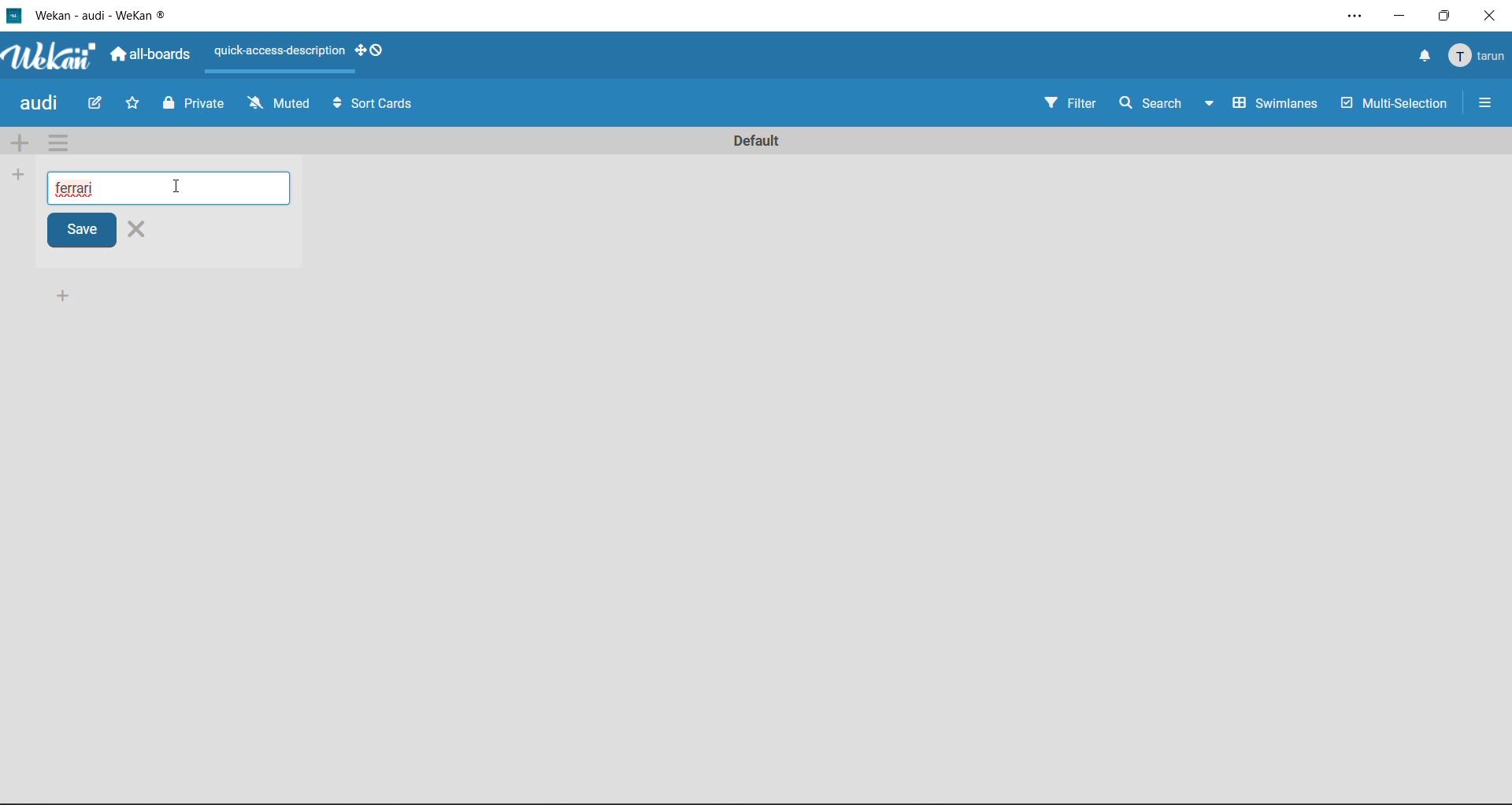 This screenshot has width=1512, height=805. Describe the element at coordinates (42, 104) in the screenshot. I see `audi` at that location.